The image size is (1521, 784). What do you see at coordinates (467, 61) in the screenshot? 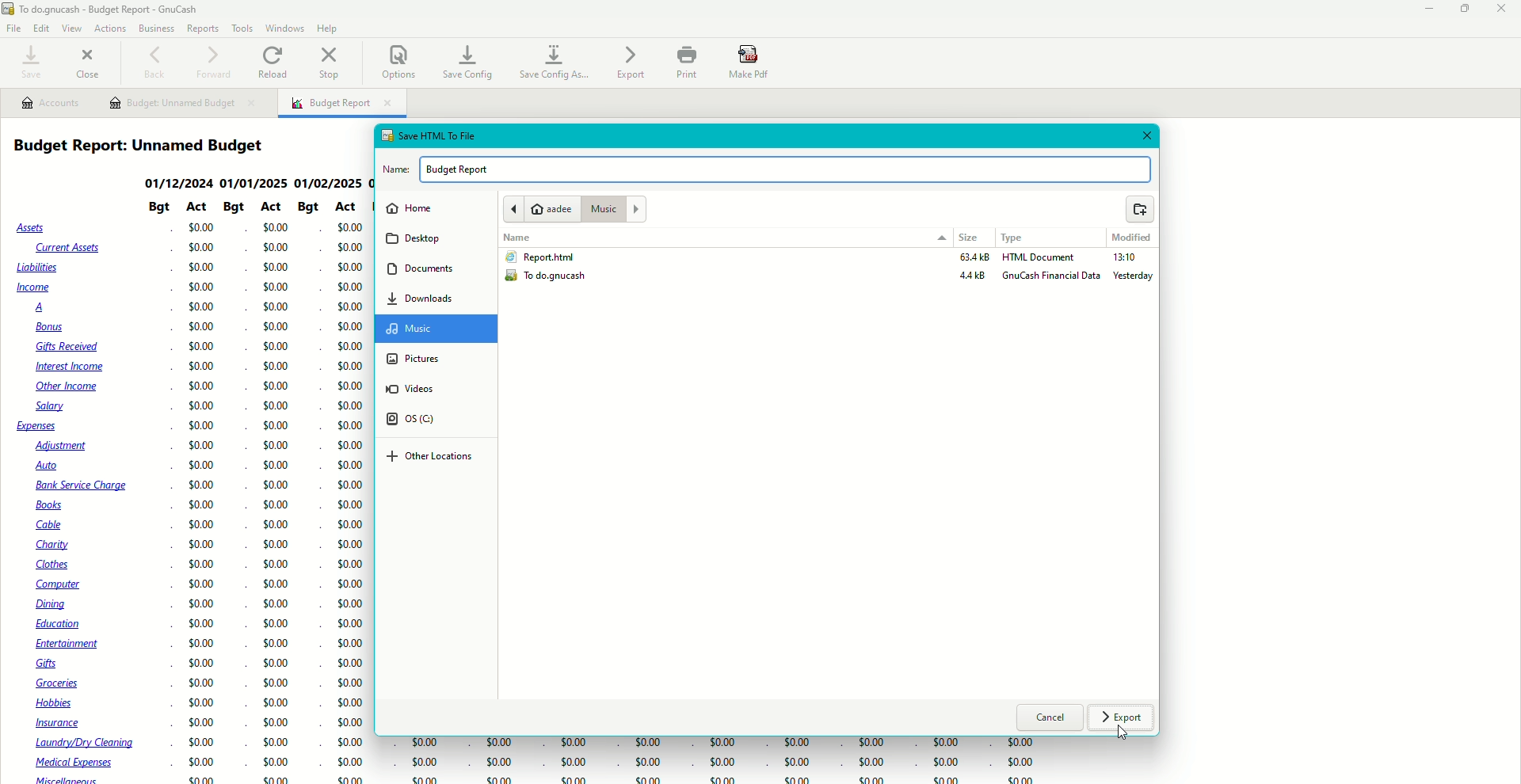
I see `Save COnfig` at bounding box center [467, 61].